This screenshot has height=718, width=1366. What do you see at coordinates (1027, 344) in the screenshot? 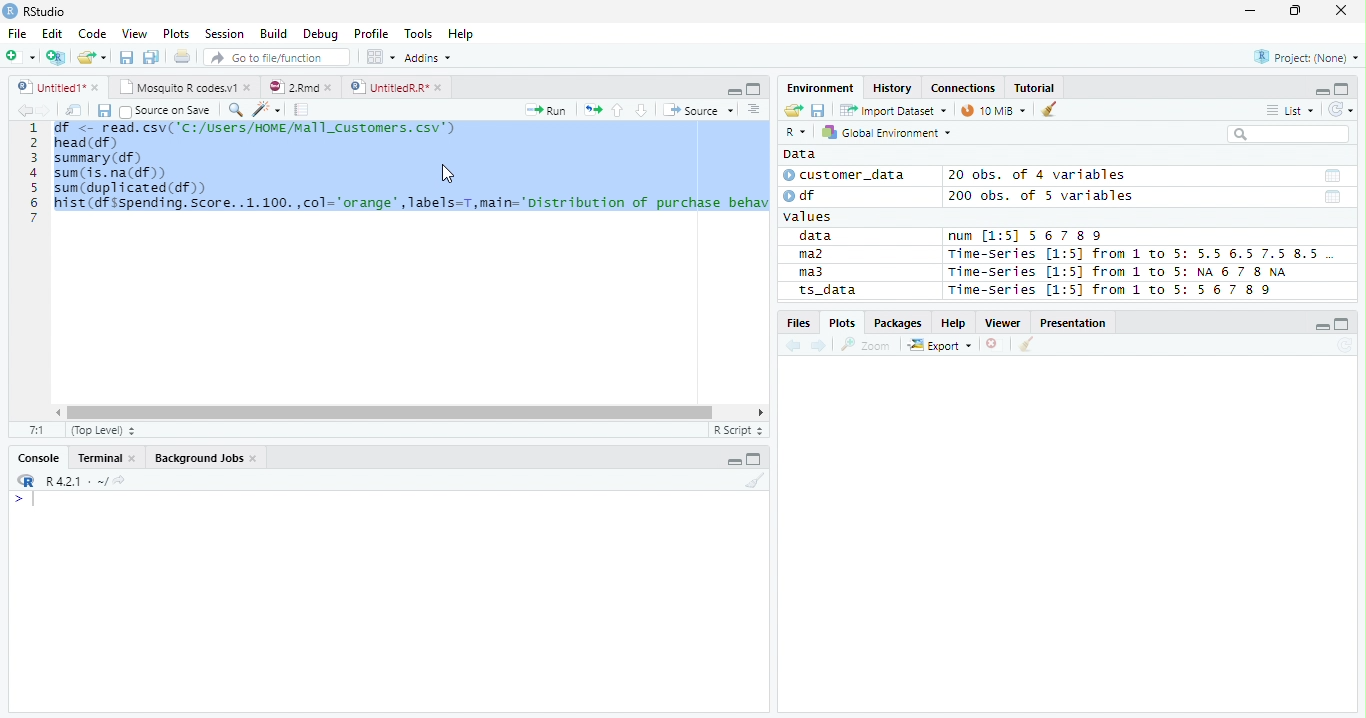
I see `Clean` at bounding box center [1027, 344].